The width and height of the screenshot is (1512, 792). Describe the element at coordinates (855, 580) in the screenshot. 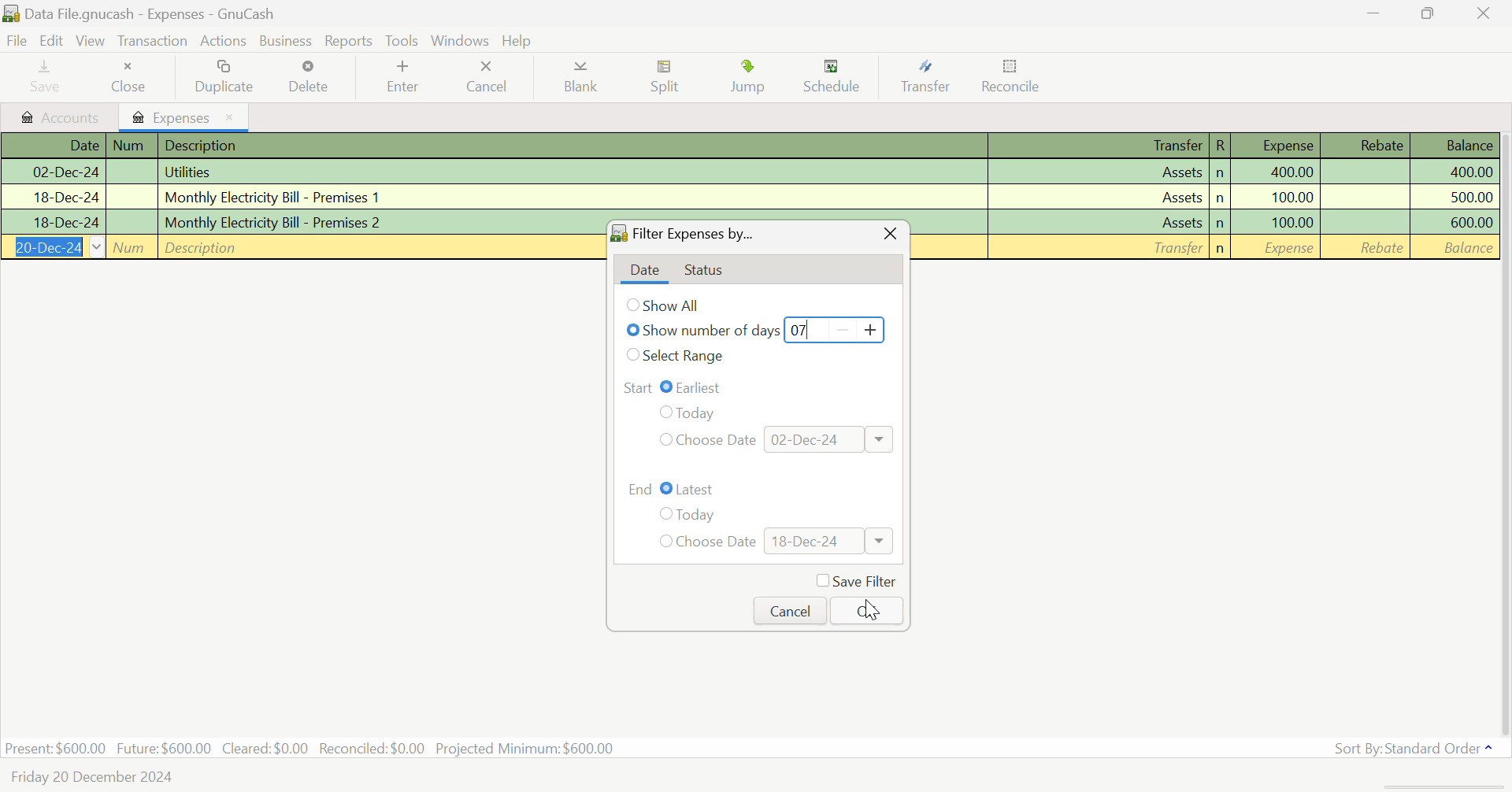

I see `Save Filter Checkbox` at that location.